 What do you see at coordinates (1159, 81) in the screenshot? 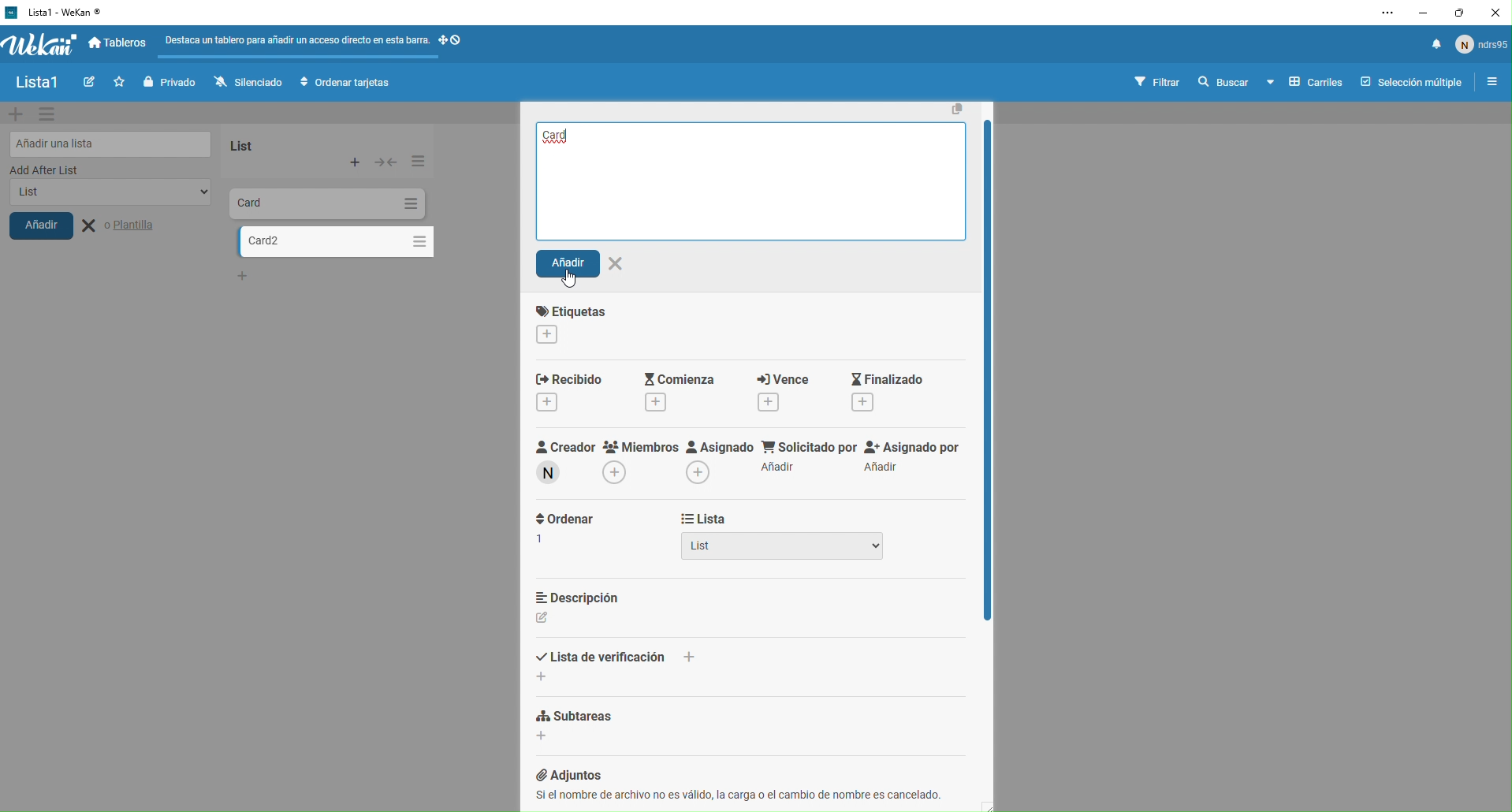
I see `filtrar` at bounding box center [1159, 81].